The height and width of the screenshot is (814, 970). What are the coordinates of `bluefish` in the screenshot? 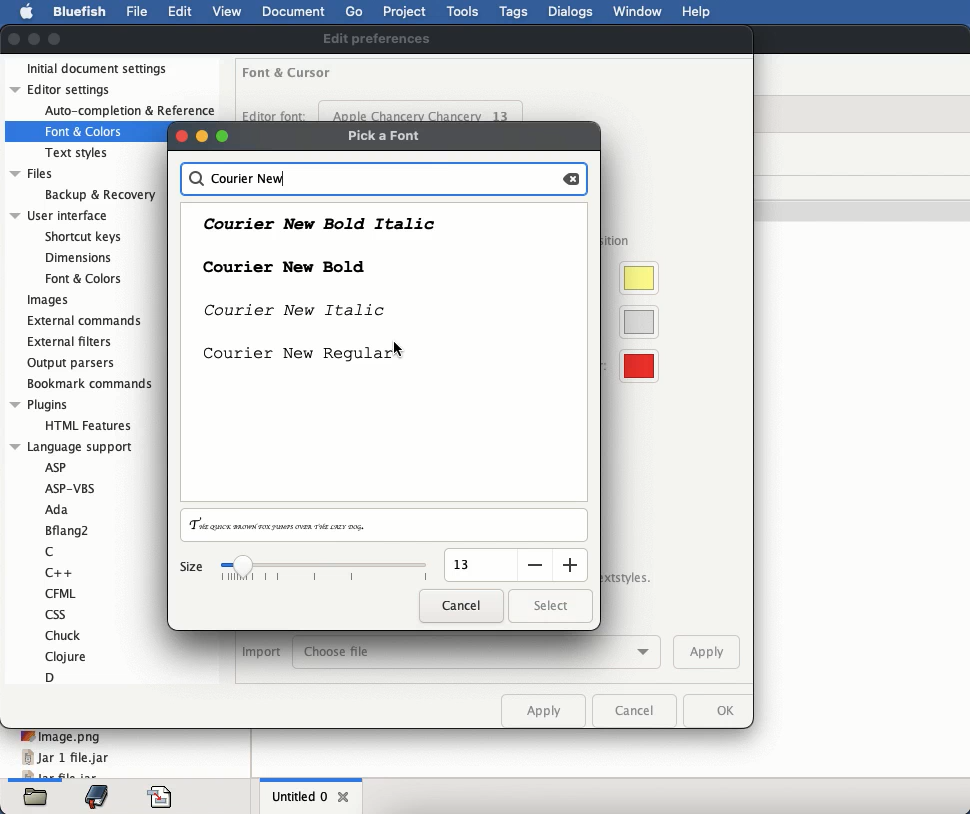 It's located at (81, 14).